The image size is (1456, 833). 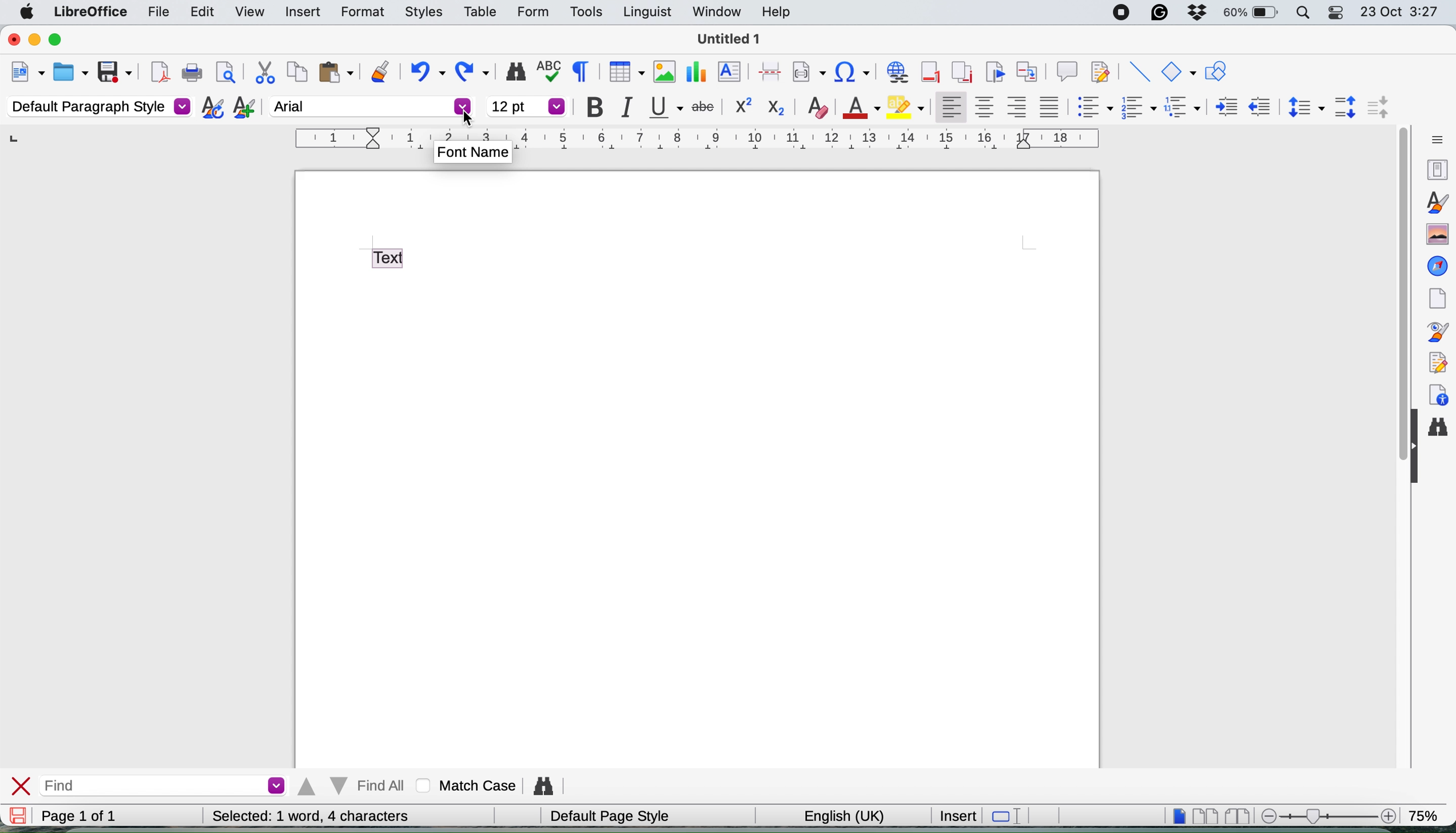 I want to click on show draw function, so click(x=1215, y=72).